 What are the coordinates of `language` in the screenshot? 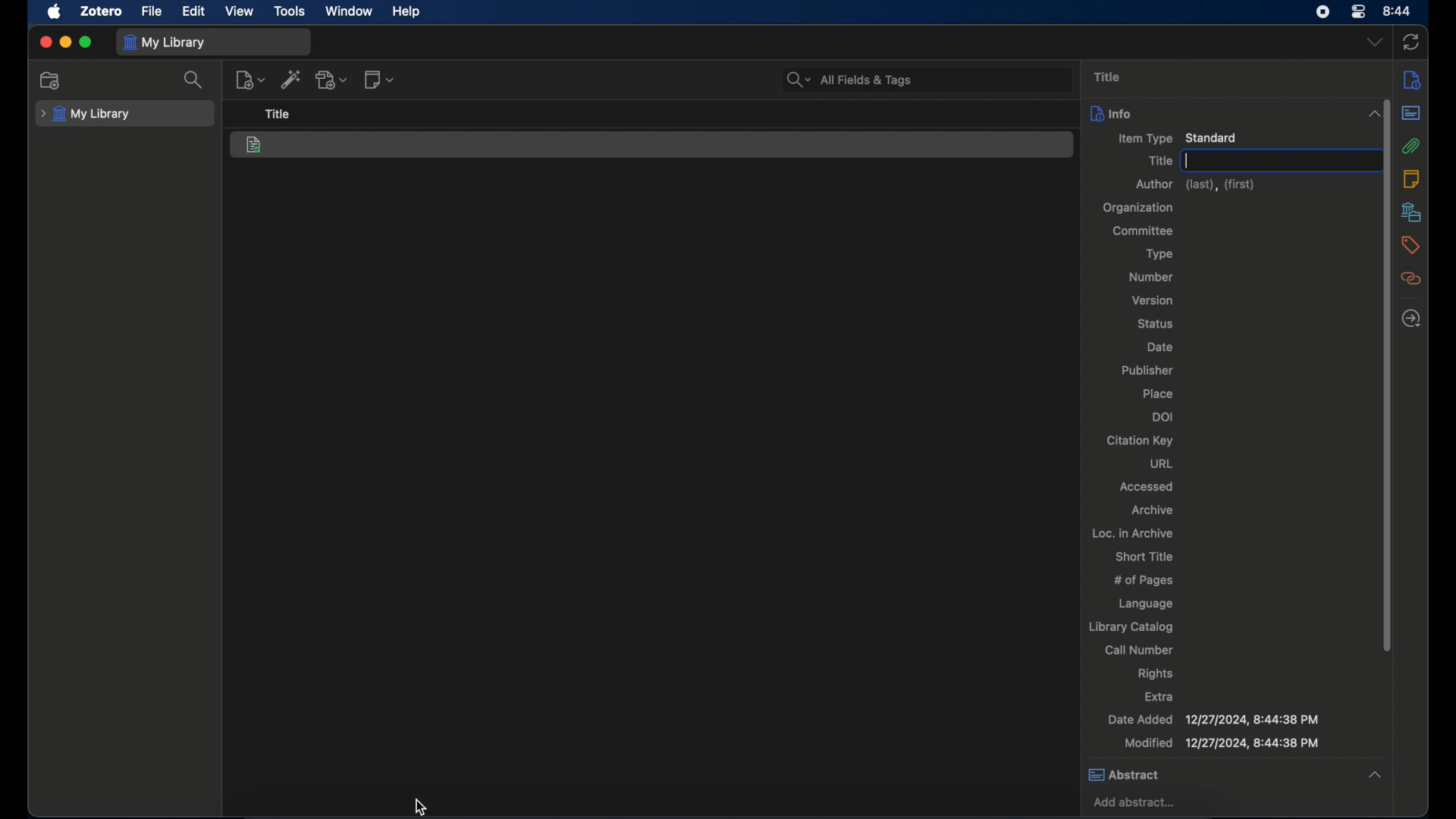 It's located at (1144, 604).